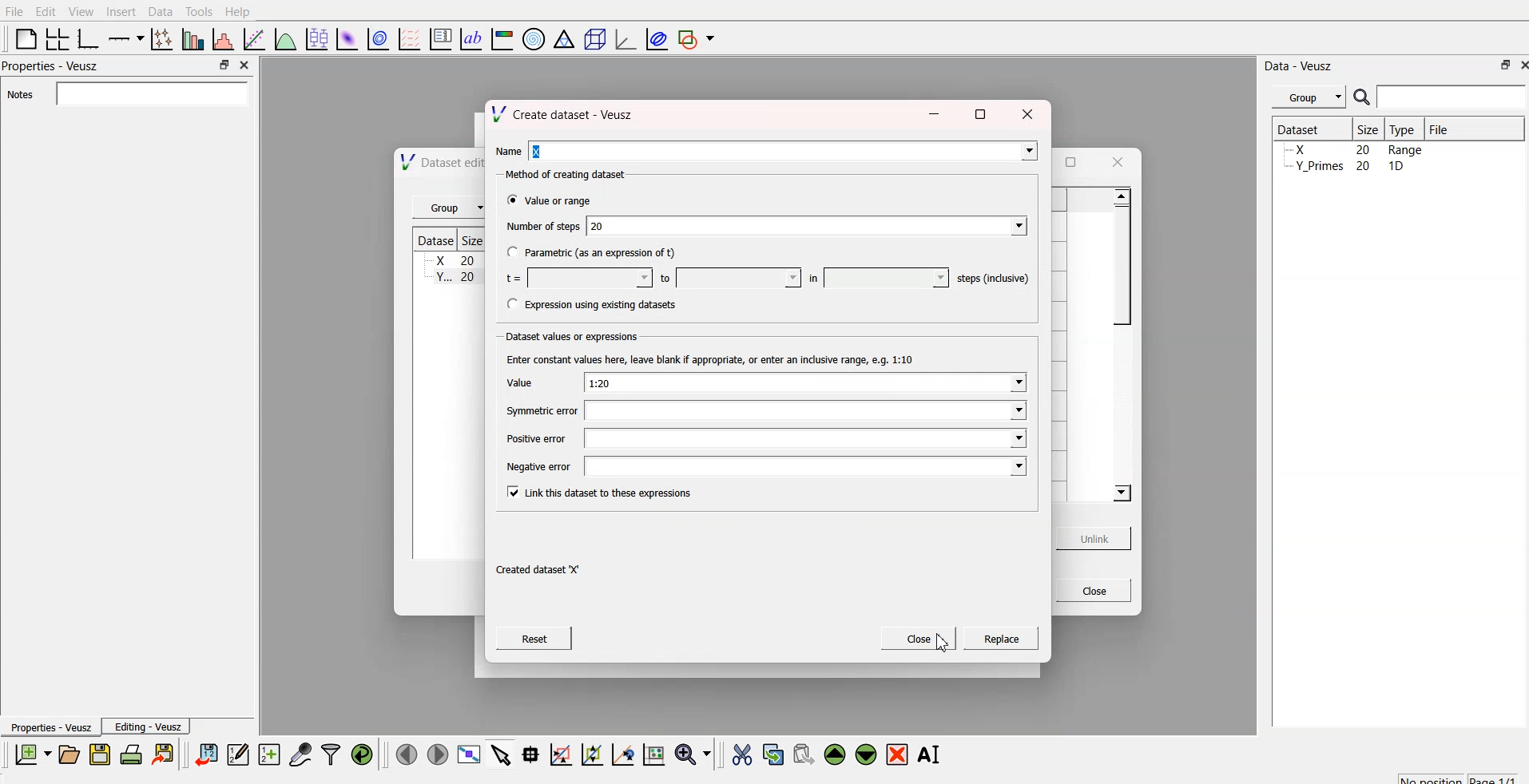  Describe the element at coordinates (761, 152) in the screenshot. I see `Name |x [Z` at that location.